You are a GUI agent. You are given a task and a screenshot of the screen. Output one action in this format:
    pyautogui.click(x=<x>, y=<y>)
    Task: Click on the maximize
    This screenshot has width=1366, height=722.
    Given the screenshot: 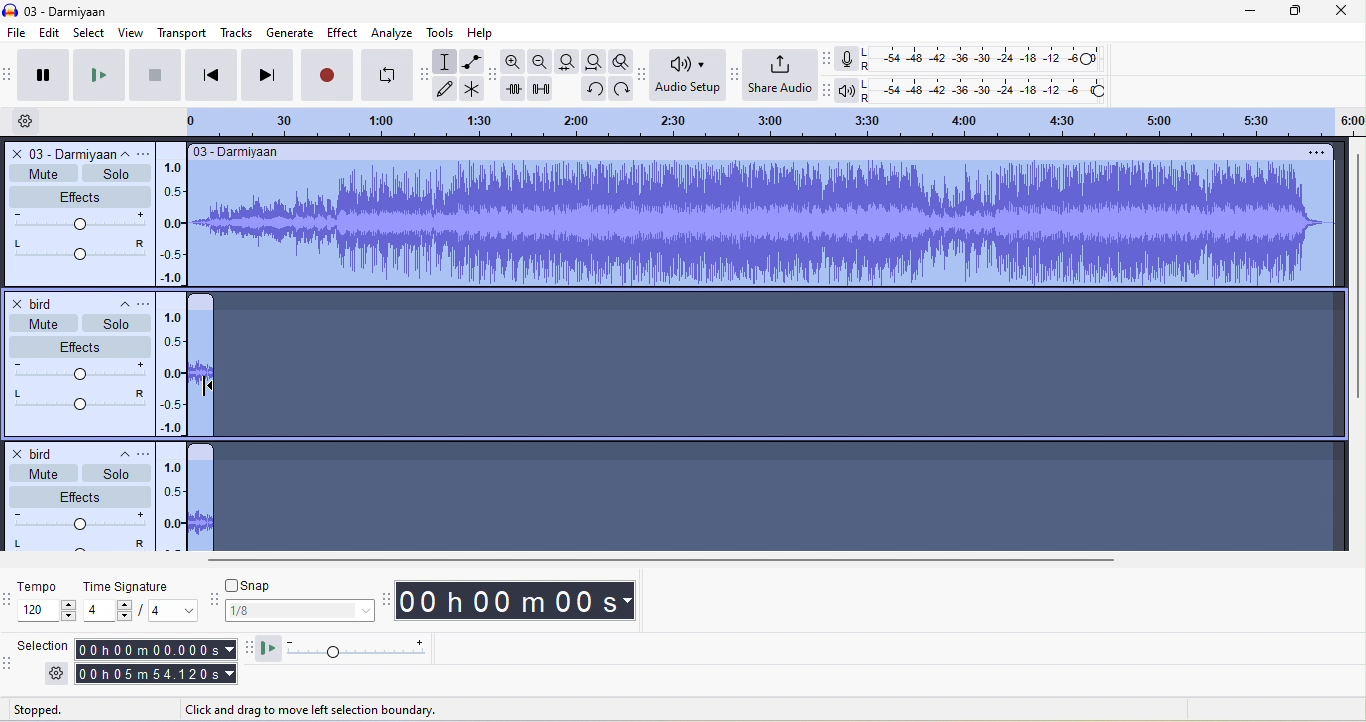 What is the action you would take?
    pyautogui.click(x=1292, y=11)
    